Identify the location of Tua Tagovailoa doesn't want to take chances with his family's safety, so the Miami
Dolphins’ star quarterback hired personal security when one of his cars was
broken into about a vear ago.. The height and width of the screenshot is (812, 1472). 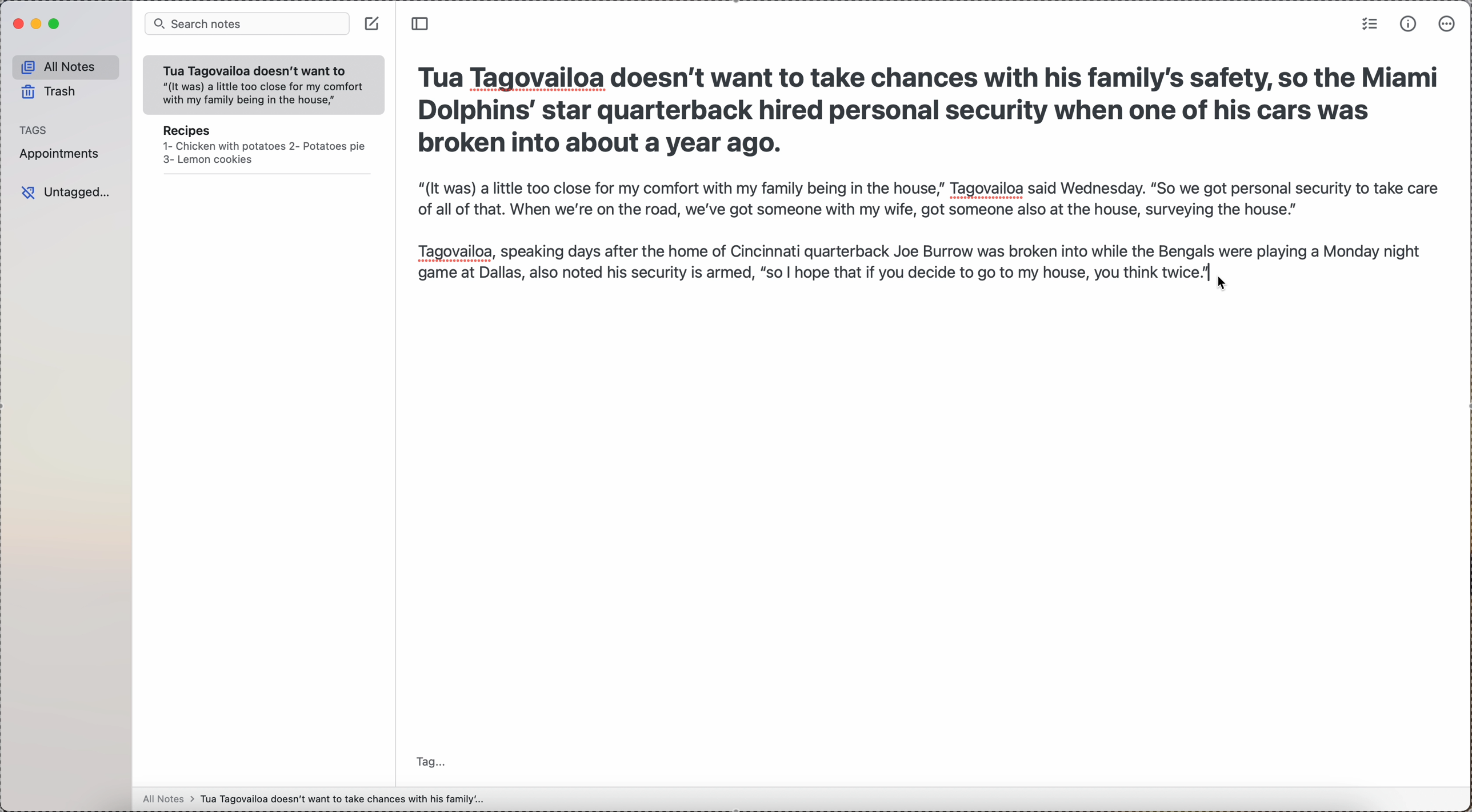
(928, 108).